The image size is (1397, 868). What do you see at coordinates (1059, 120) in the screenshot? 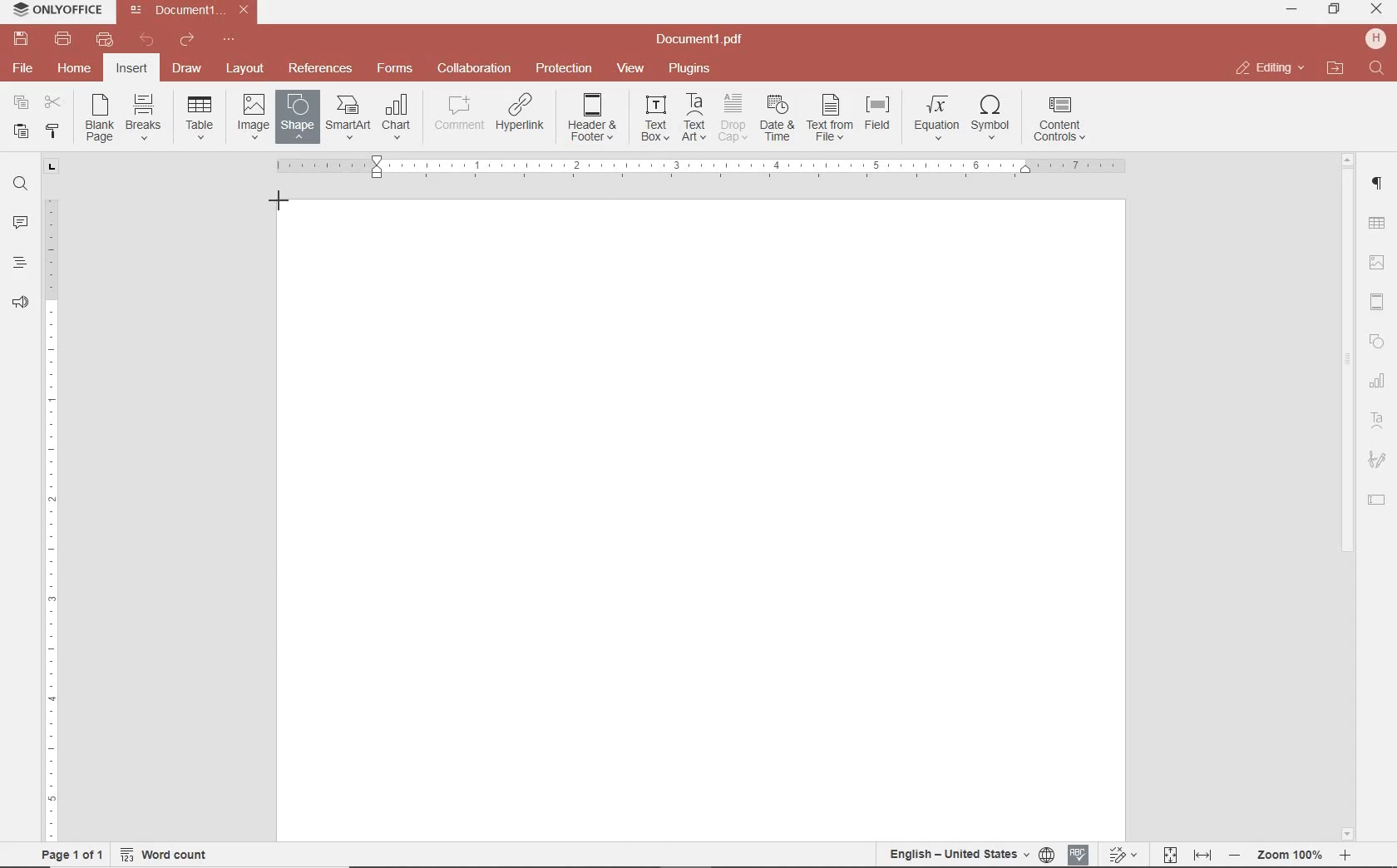
I see `INSERT CONTENT CONTROLS` at bounding box center [1059, 120].